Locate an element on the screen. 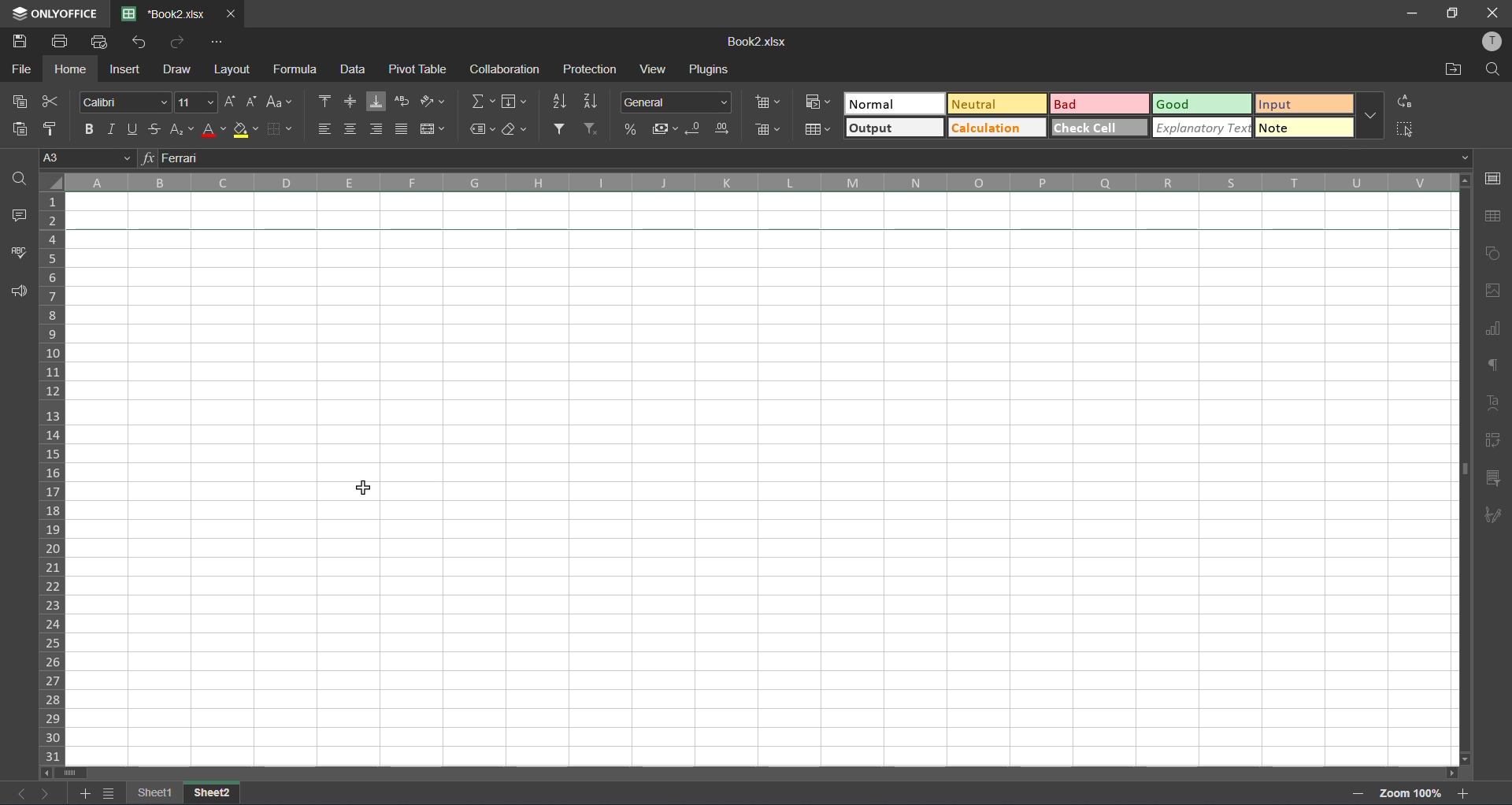 Image resolution: width=1512 pixels, height=805 pixels. explanatory text is located at coordinates (1203, 126).